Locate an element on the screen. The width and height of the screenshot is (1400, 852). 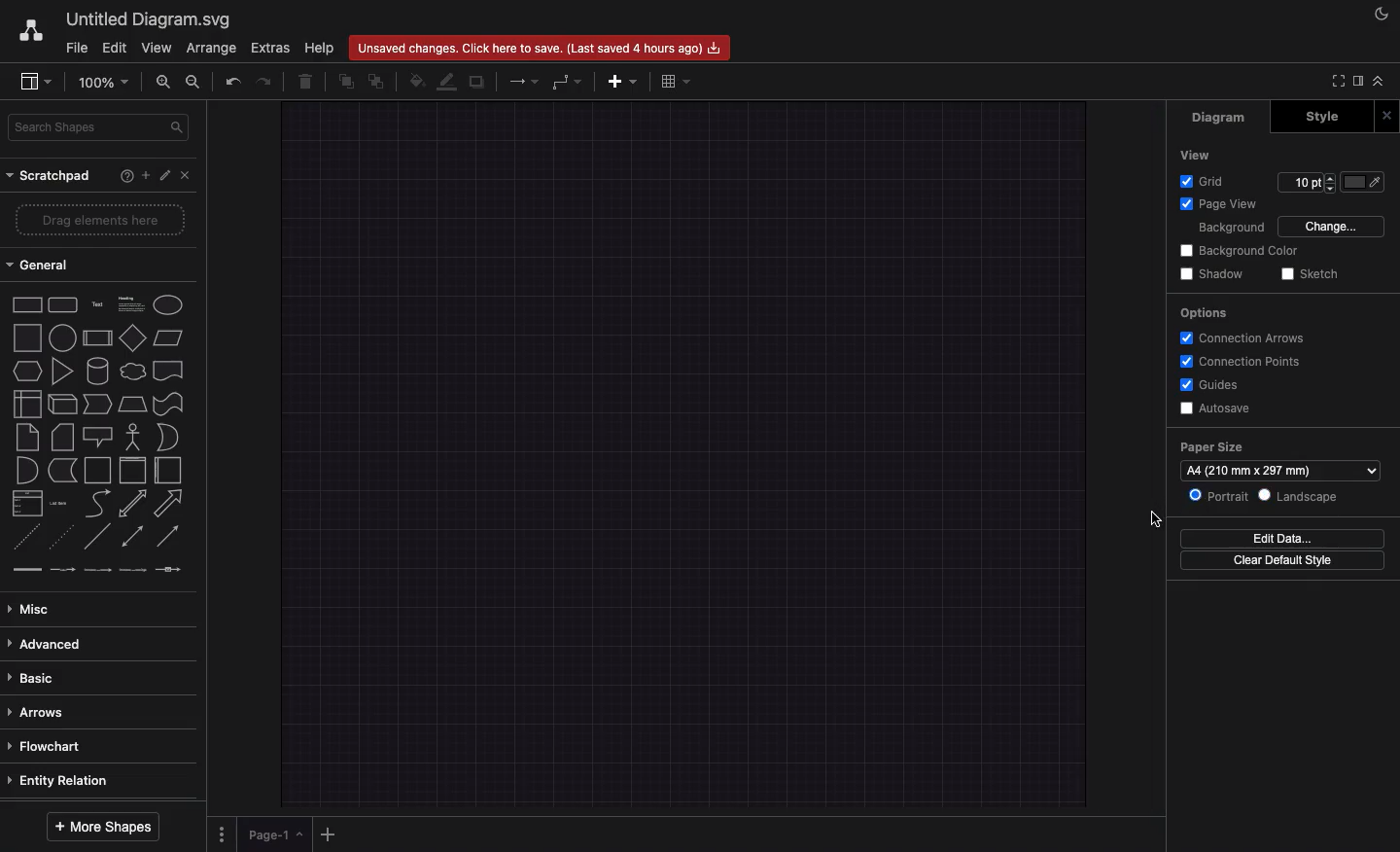
To back is located at coordinates (379, 83).